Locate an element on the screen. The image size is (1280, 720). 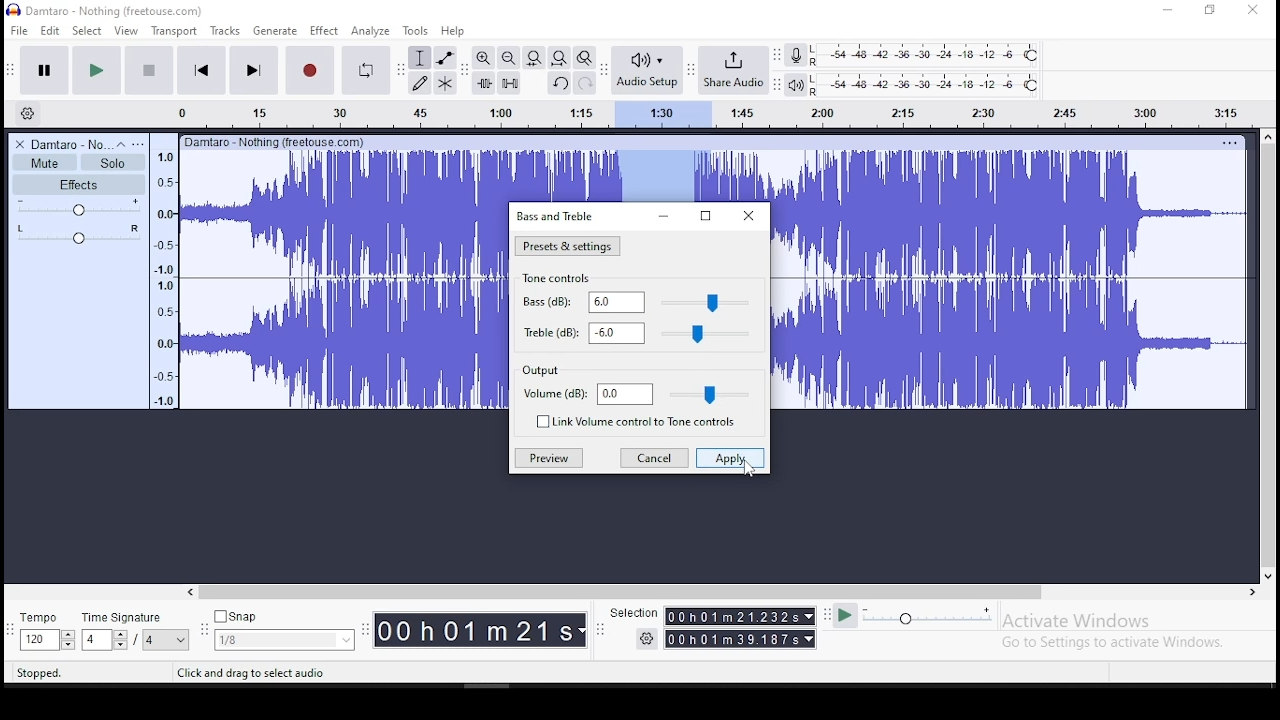
Maximize is located at coordinates (705, 217).